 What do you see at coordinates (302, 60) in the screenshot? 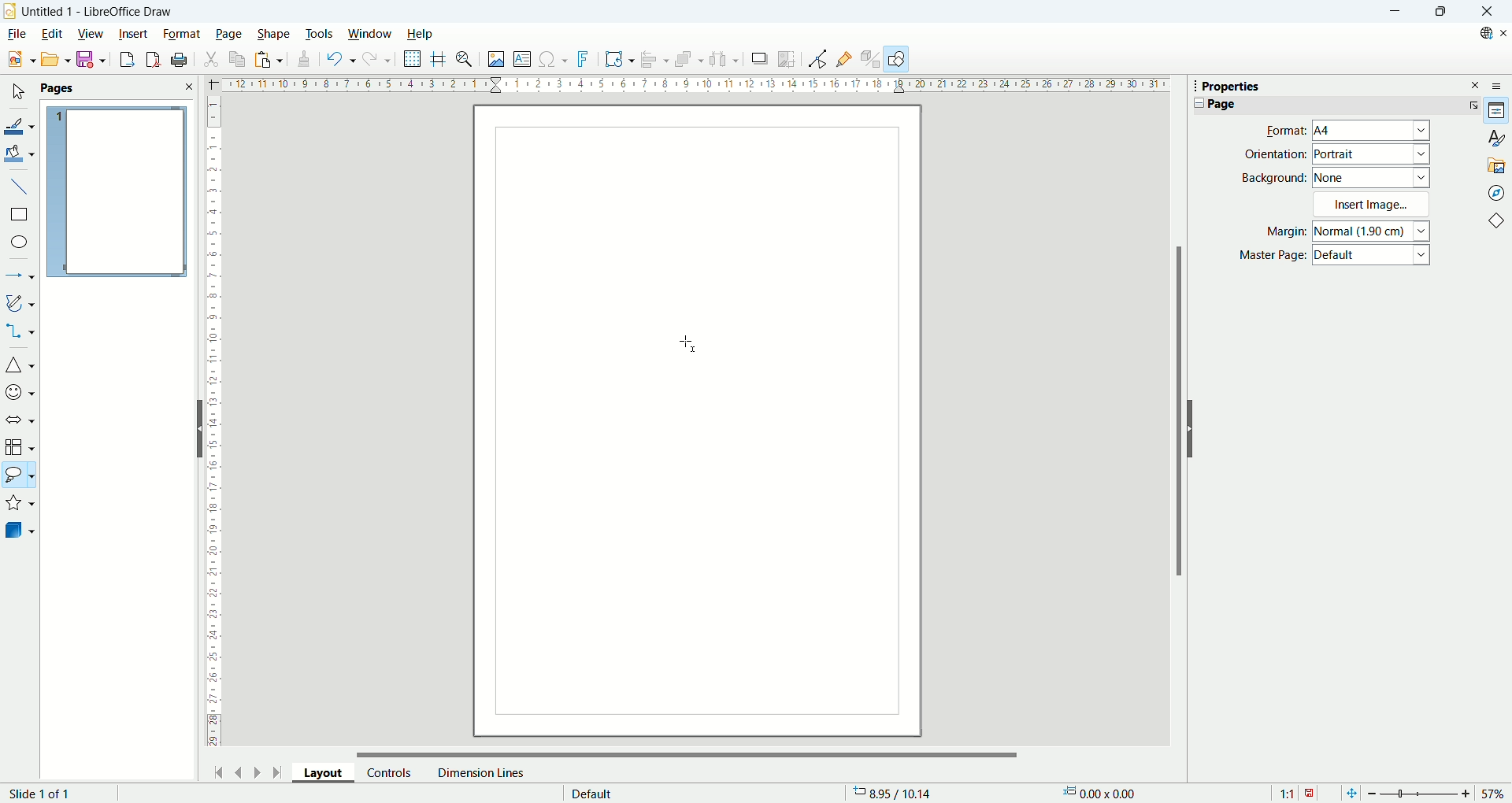
I see `clone formatting` at bounding box center [302, 60].